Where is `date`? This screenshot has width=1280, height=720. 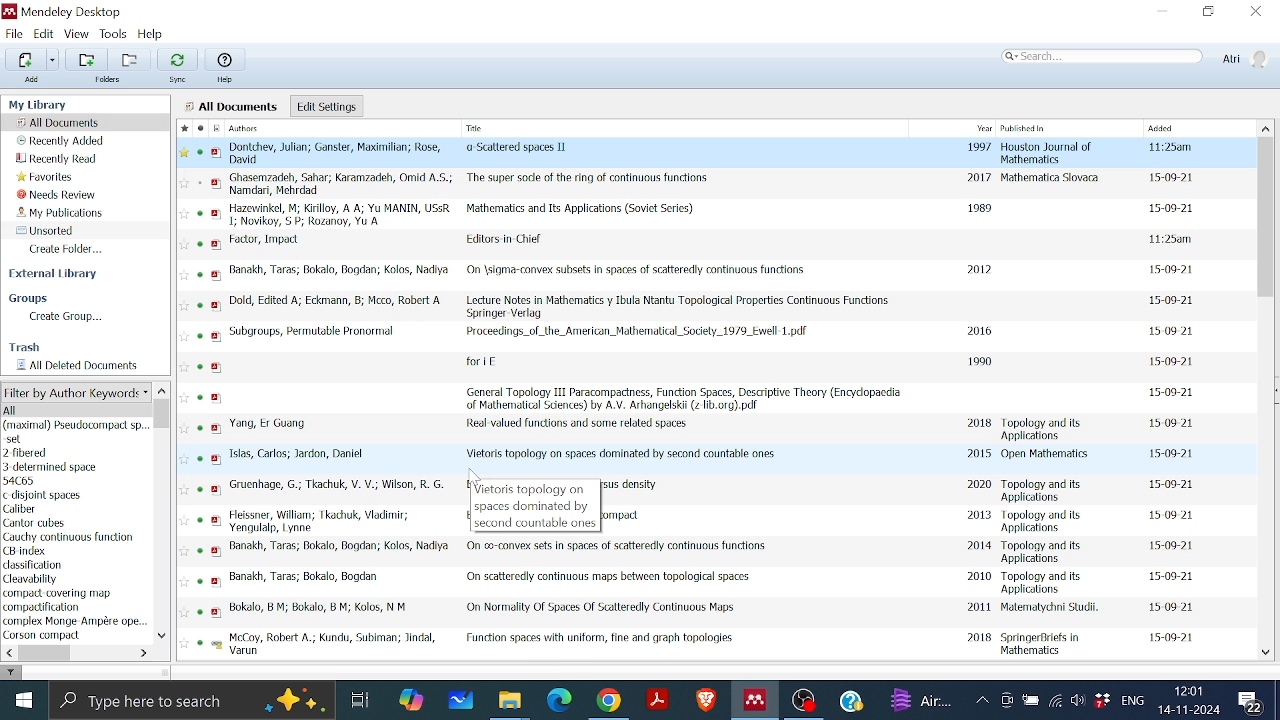 date is located at coordinates (1168, 518).